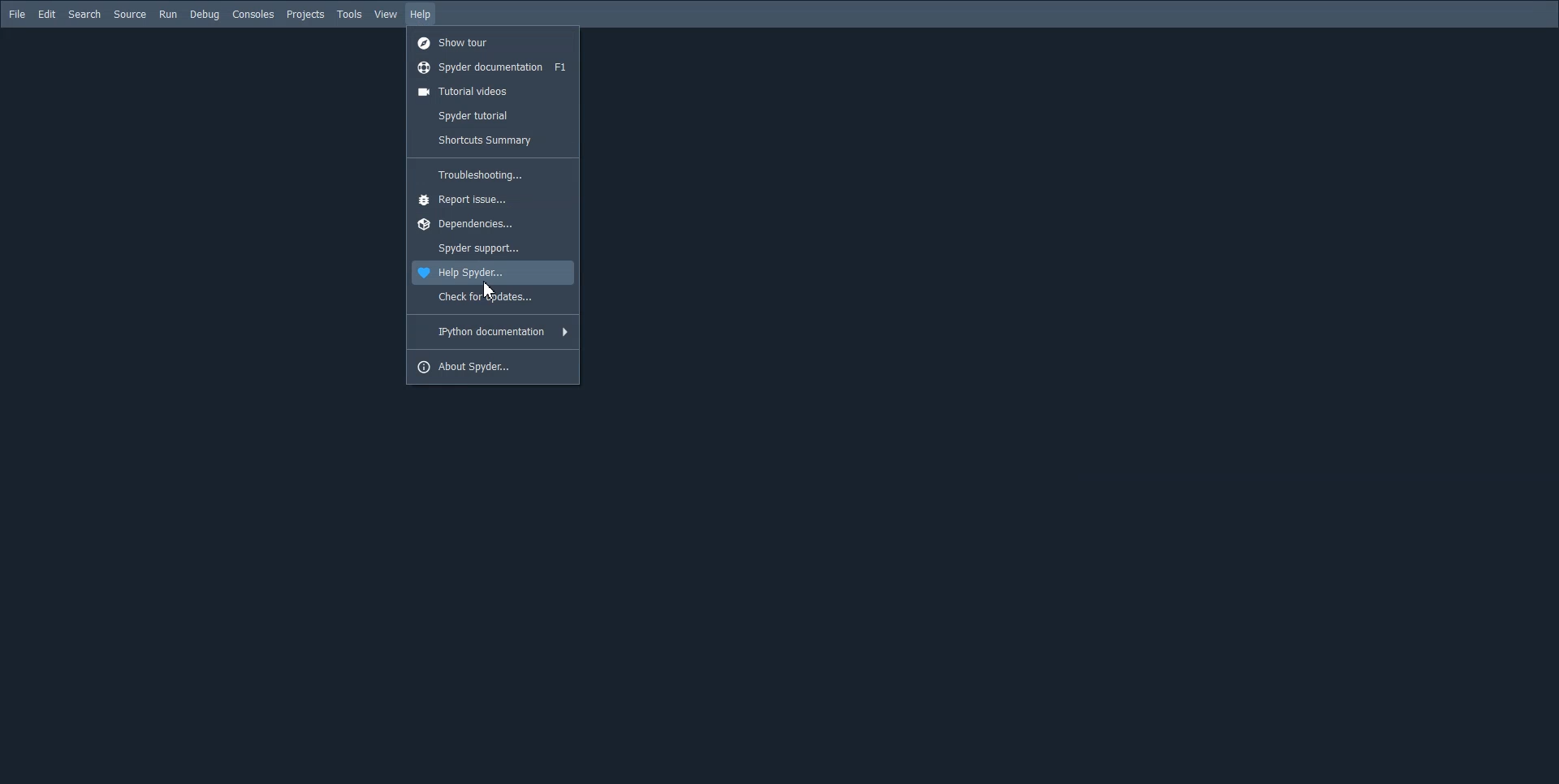 The height and width of the screenshot is (784, 1559). I want to click on IPython Documentation, so click(492, 331).